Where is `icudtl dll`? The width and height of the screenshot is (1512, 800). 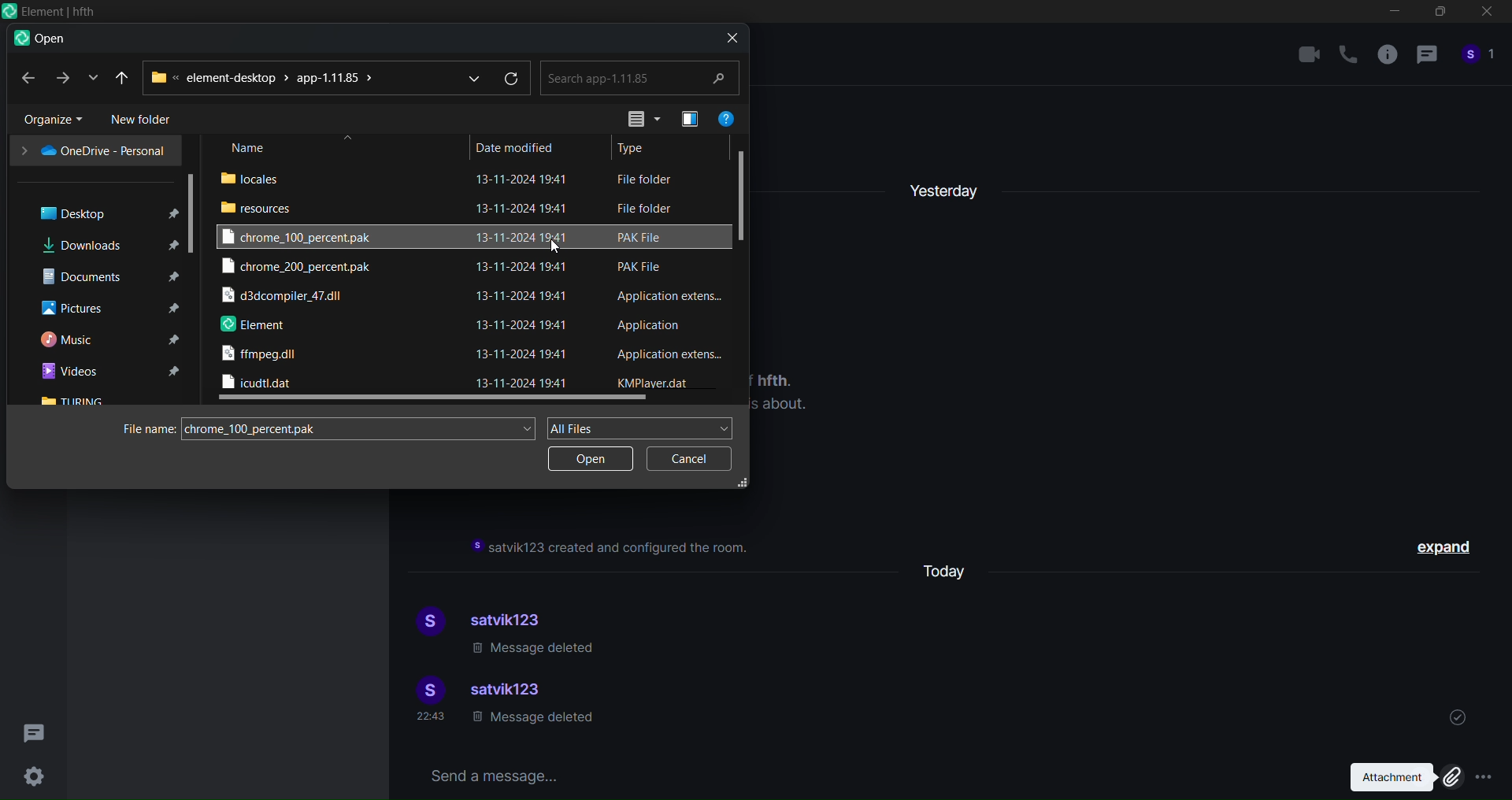
icudtl dll is located at coordinates (258, 383).